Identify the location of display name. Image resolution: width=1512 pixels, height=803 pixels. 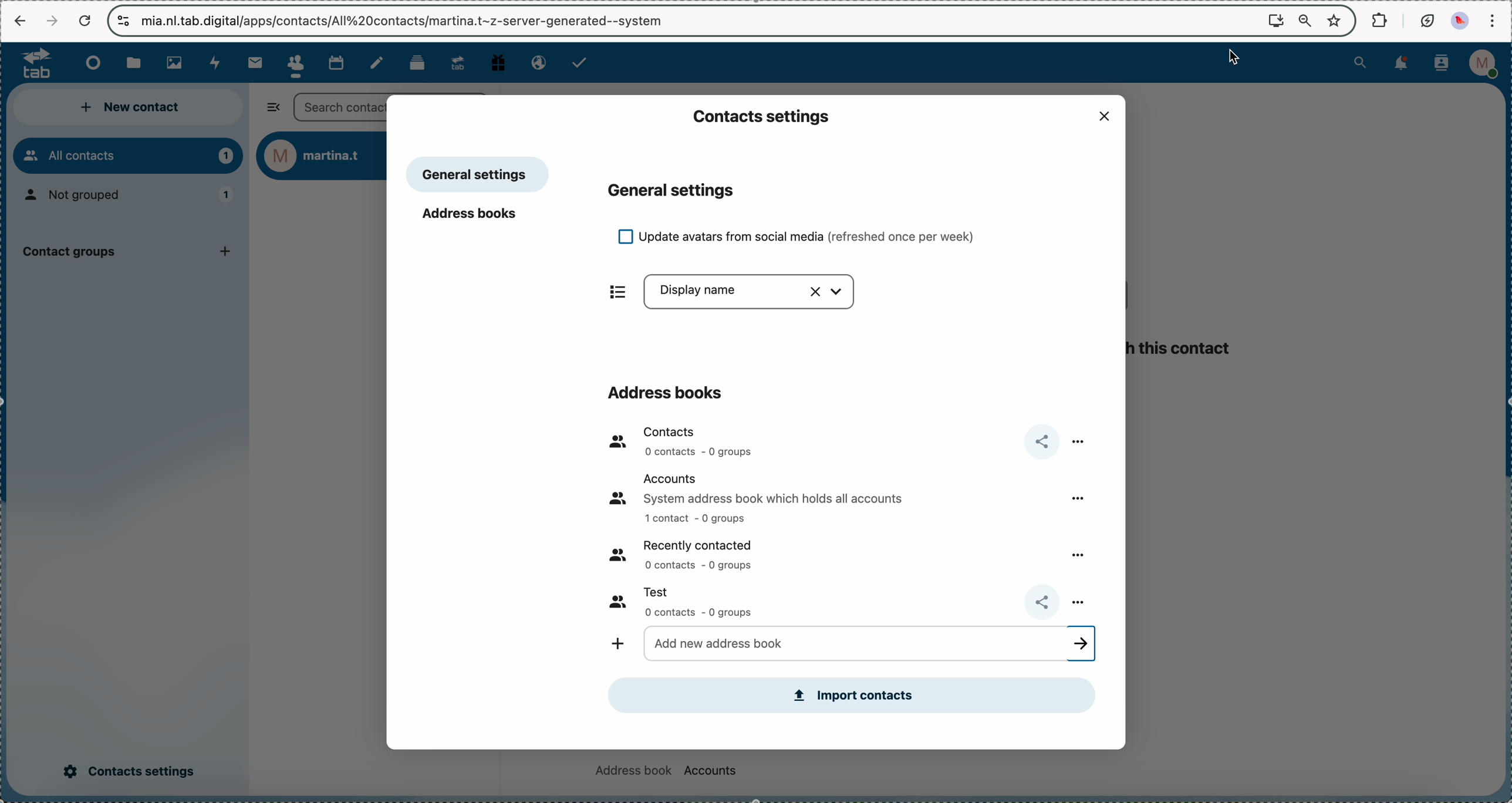
(751, 294).